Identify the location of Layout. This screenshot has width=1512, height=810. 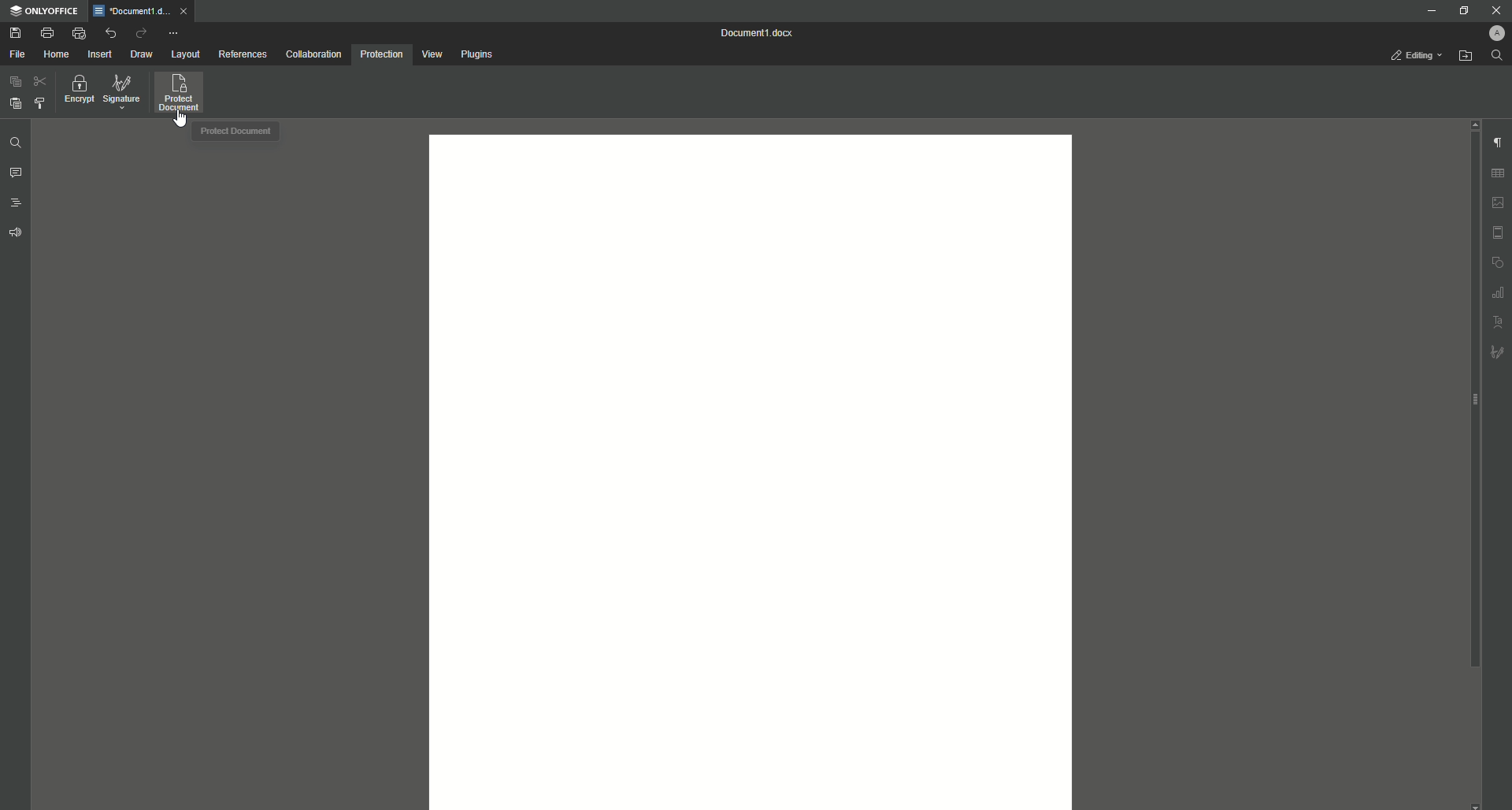
(183, 54).